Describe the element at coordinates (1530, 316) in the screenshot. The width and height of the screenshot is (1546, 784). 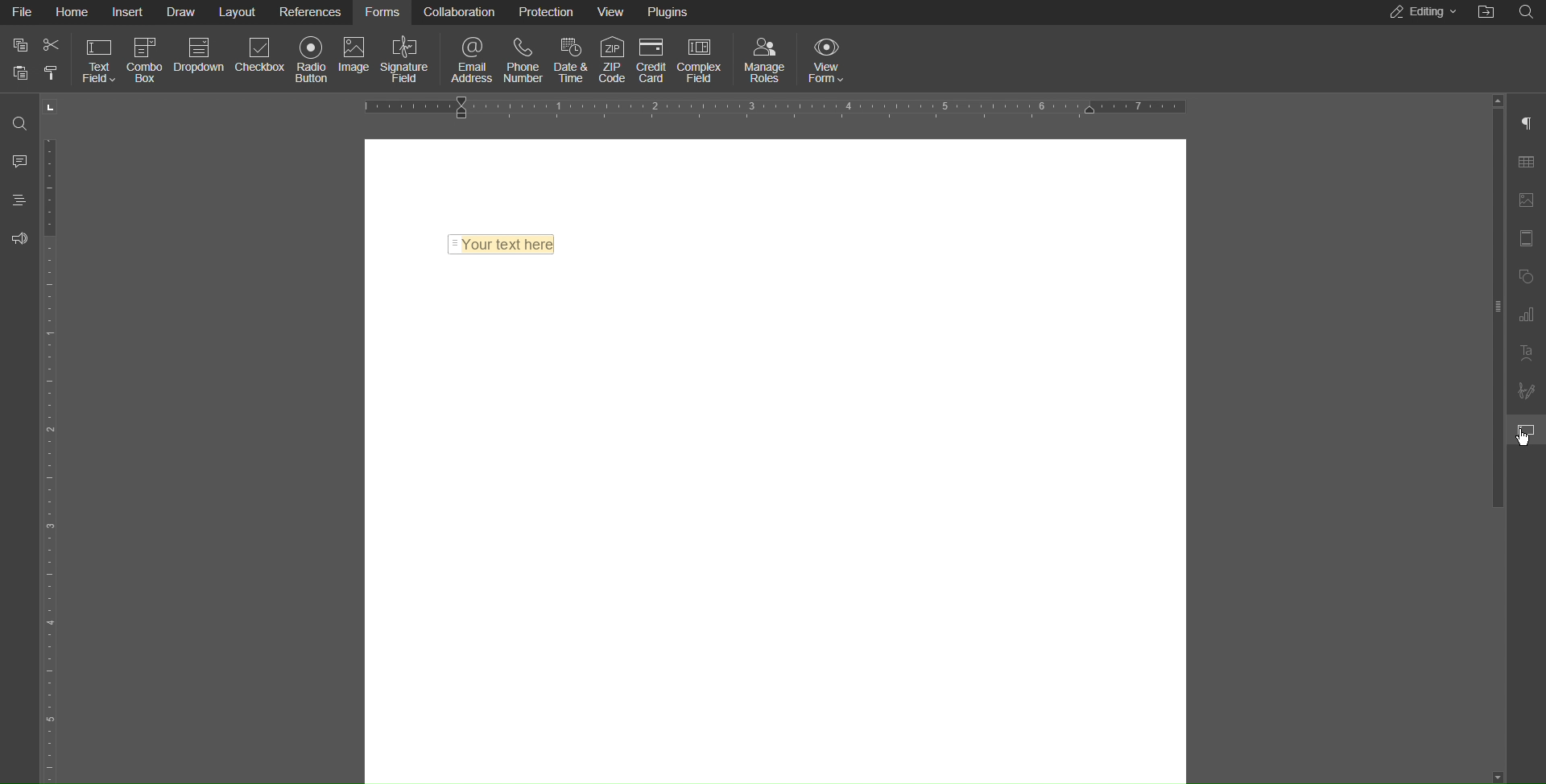
I see `Graph Settings` at that location.